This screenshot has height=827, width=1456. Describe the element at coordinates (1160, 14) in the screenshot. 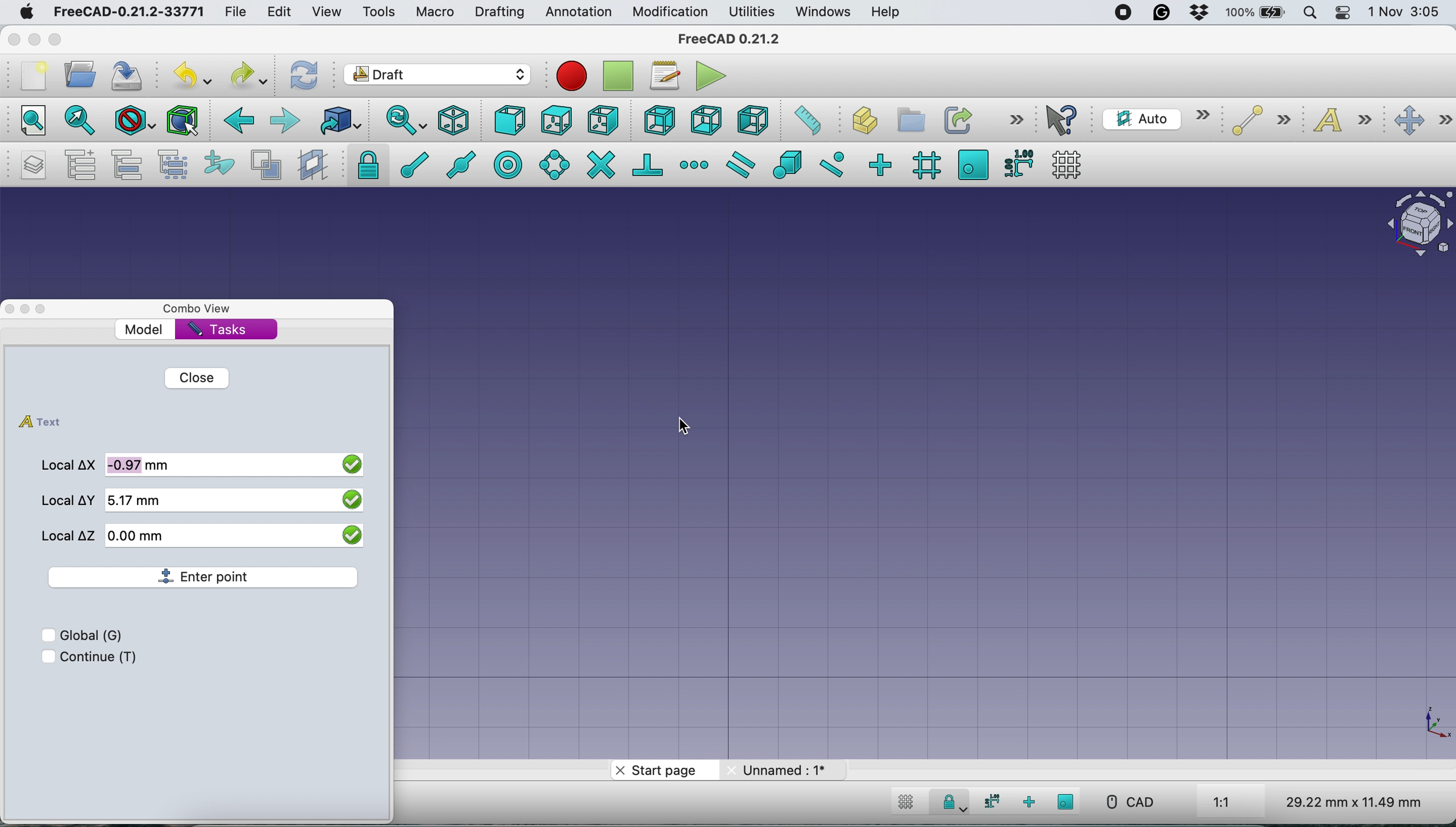

I see `grammarly` at that location.